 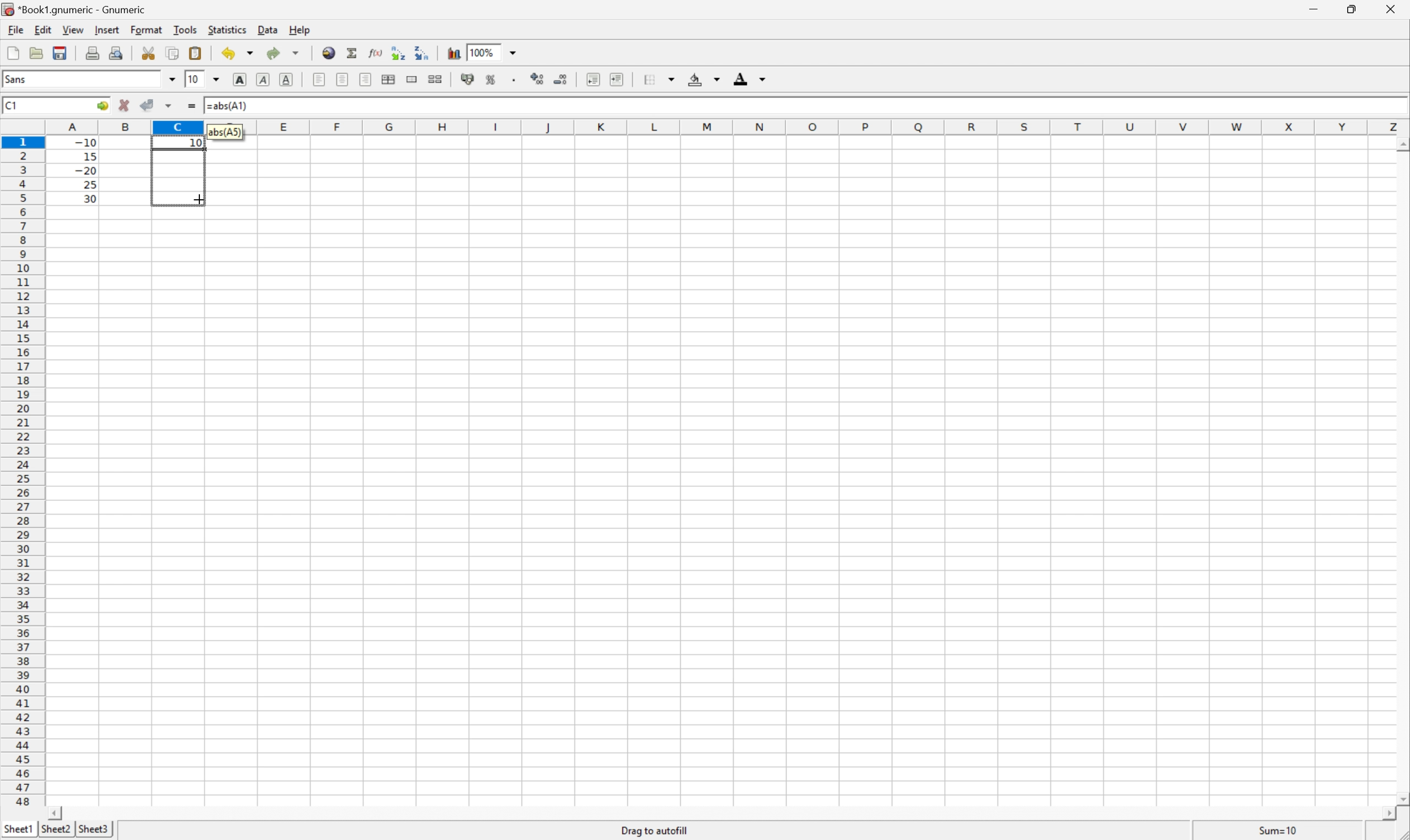 I want to click on Enter formula, so click(x=194, y=107).